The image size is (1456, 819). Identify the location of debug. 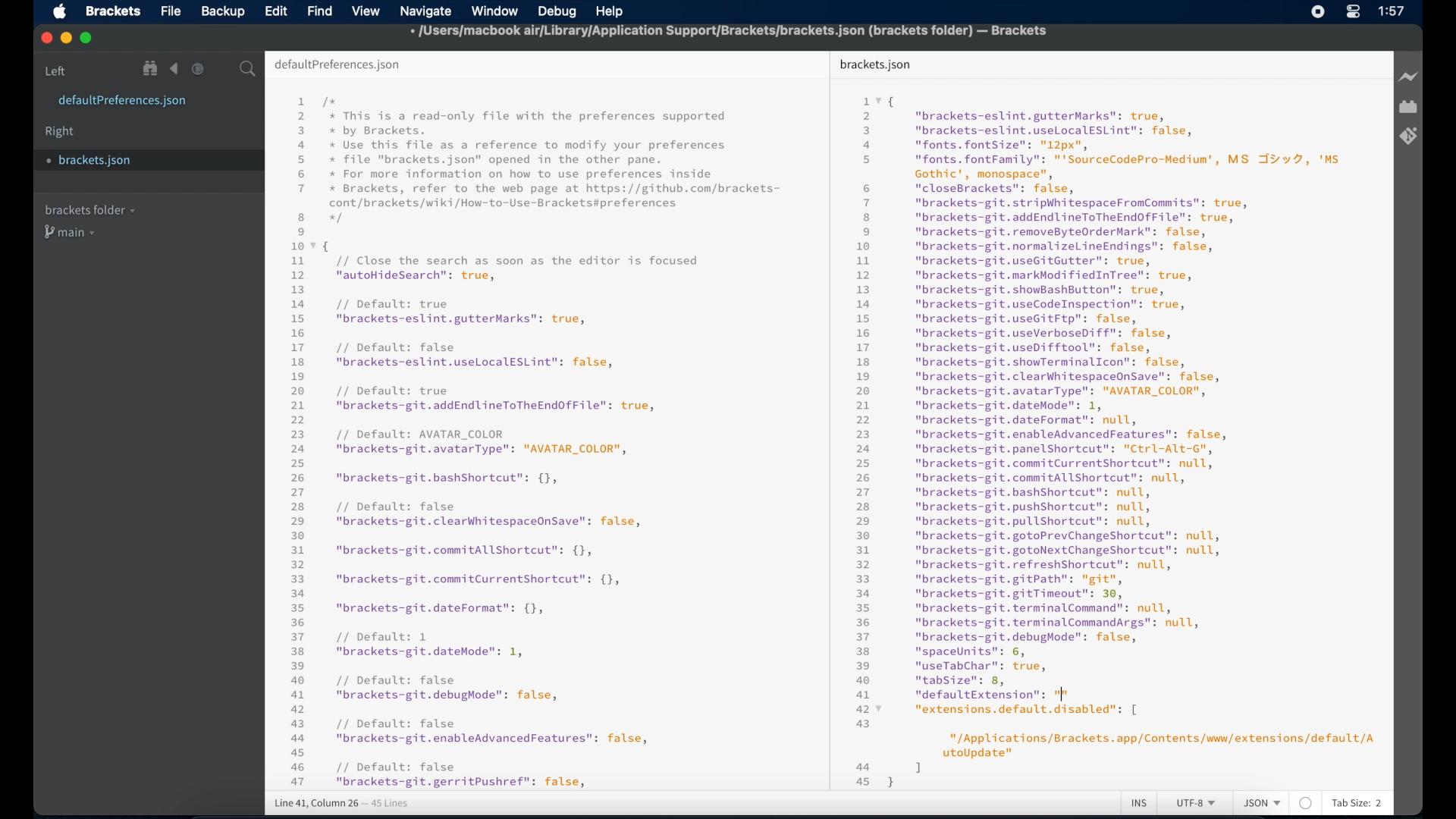
(556, 11).